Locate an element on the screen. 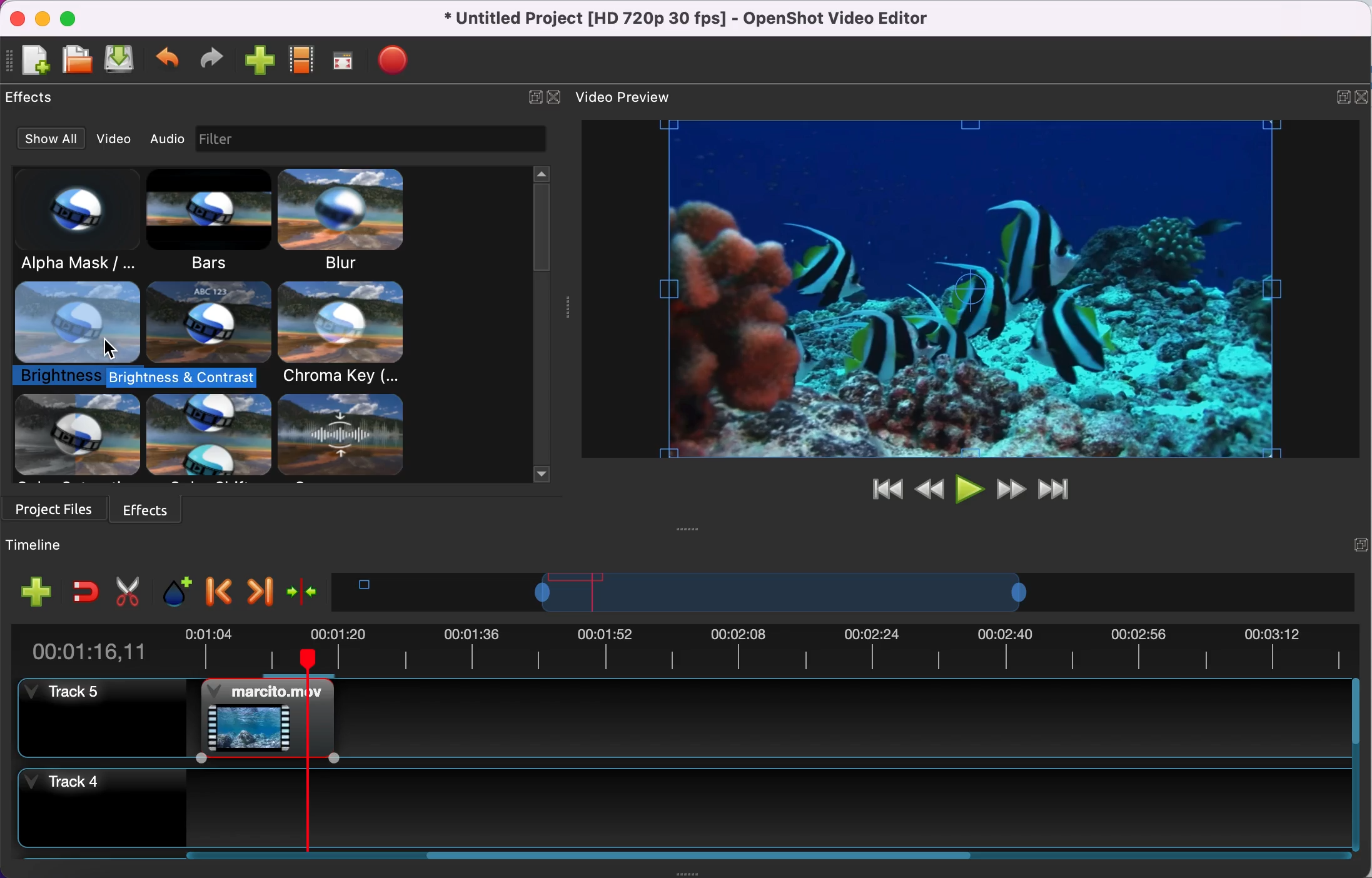 This screenshot has height=878, width=1372. effecs is located at coordinates (34, 98).